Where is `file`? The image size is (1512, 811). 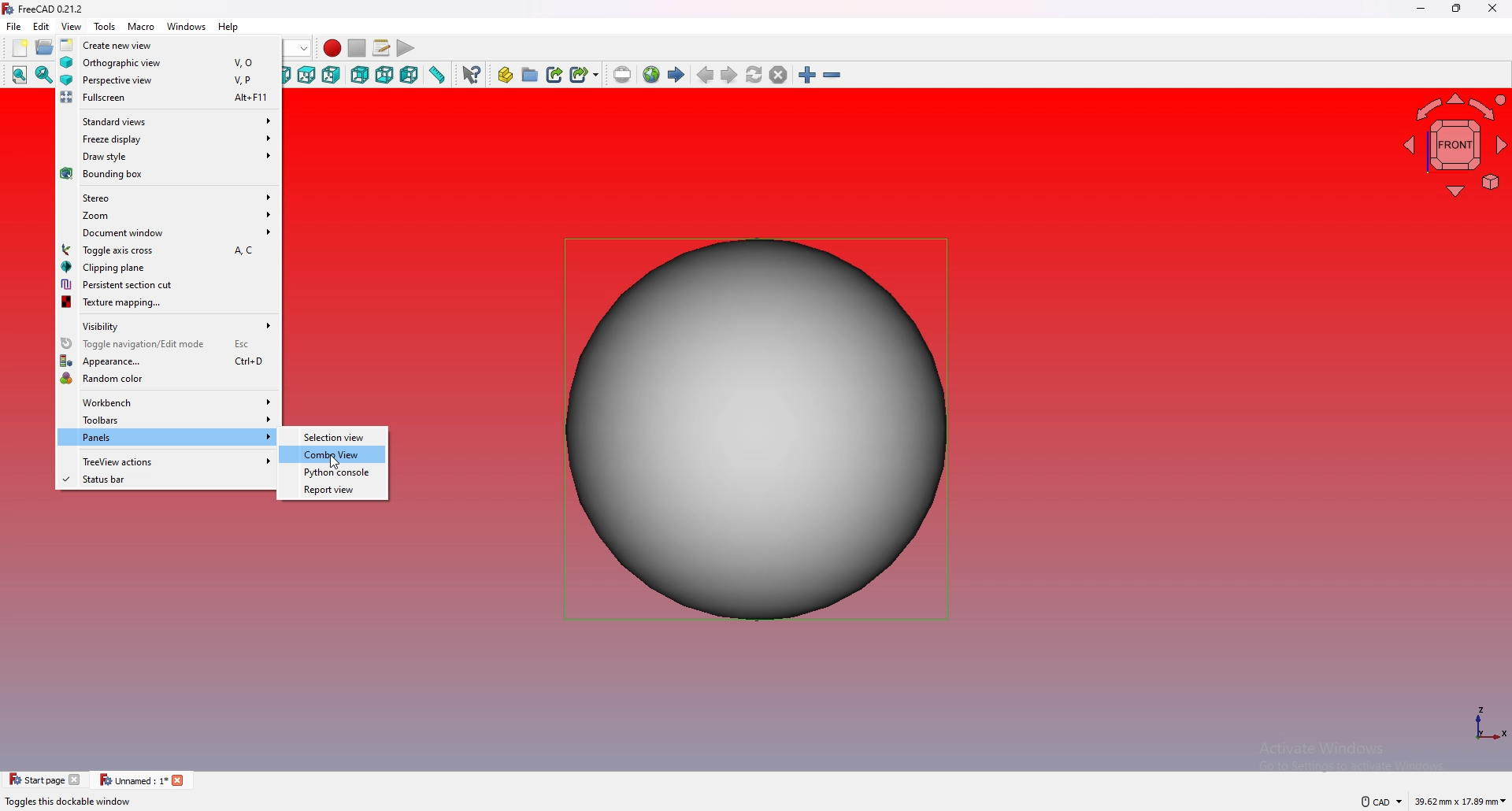
file is located at coordinates (14, 27).